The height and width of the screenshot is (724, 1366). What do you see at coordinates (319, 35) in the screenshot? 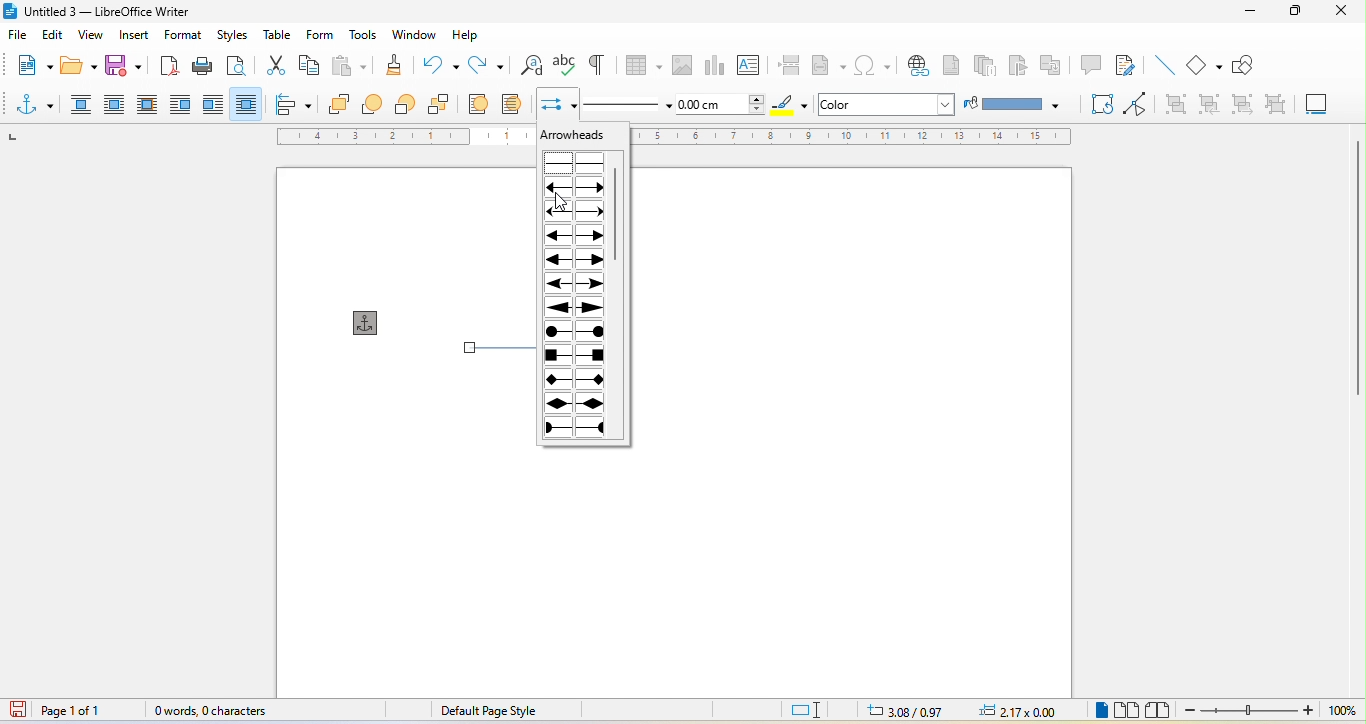
I see `form` at bounding box center [319, 35].